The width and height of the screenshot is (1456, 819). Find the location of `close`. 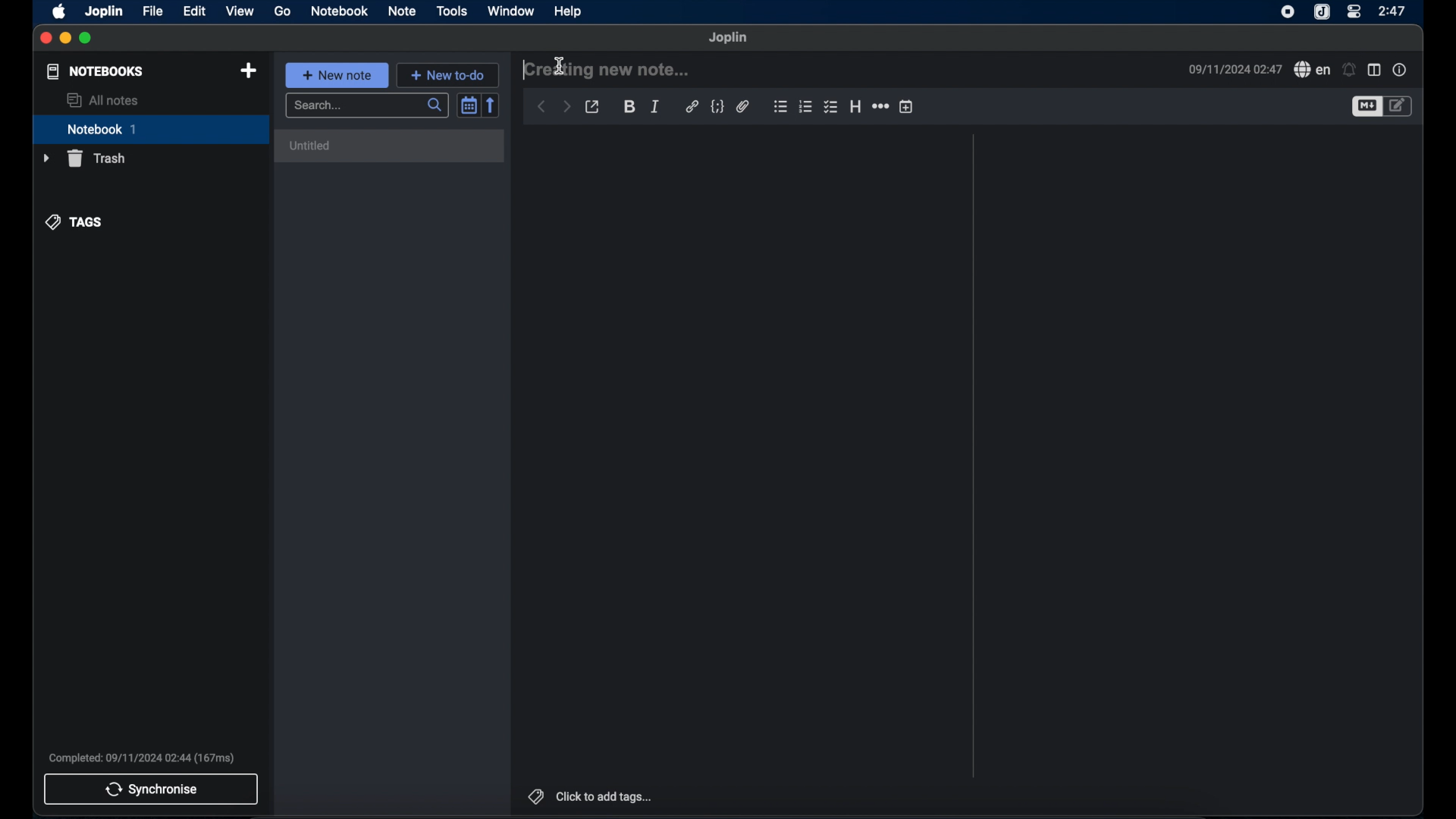

close is located at coordinates (45, 39).